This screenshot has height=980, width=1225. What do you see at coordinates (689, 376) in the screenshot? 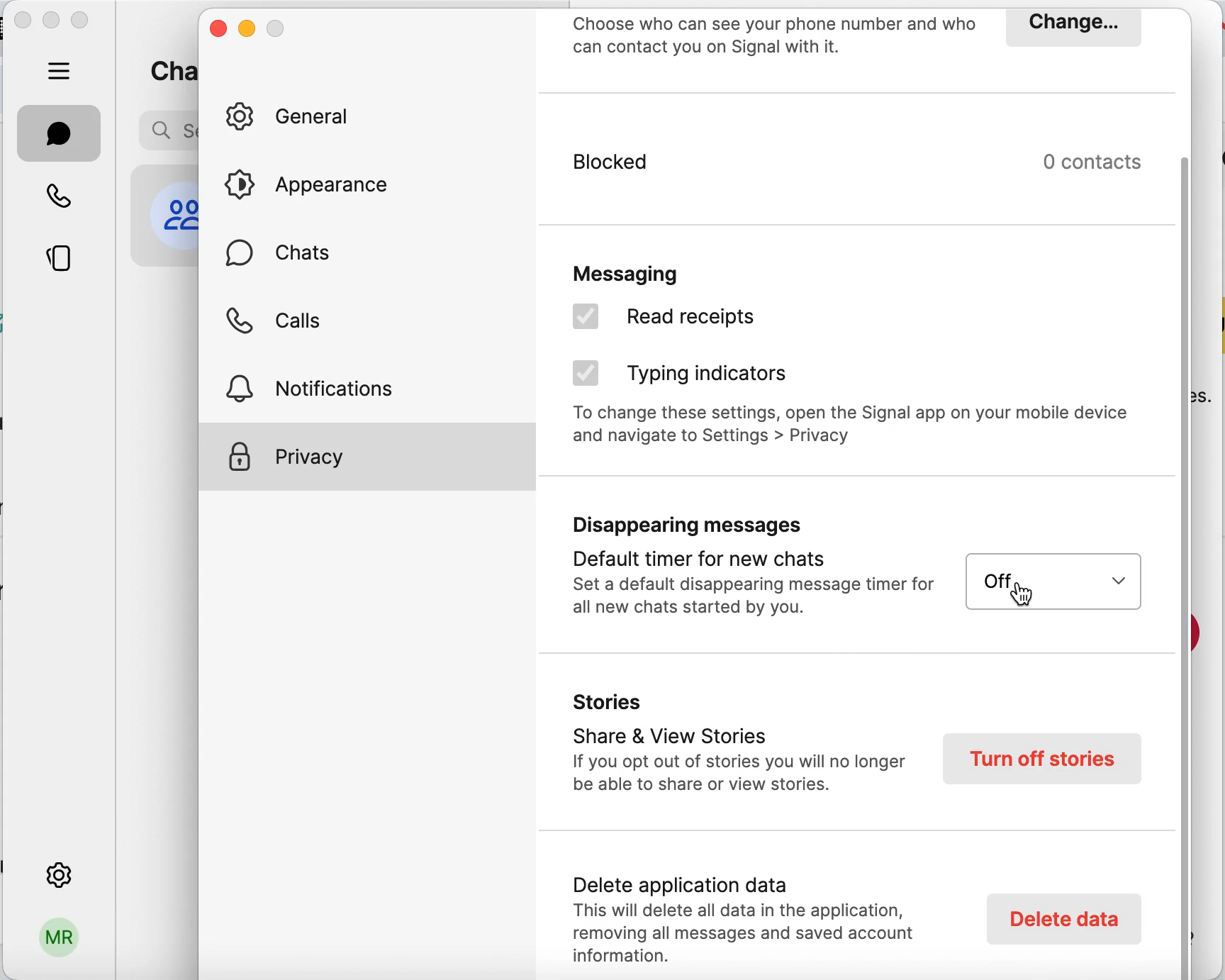
I see `typing indicators` at bounding box center [689, 376].